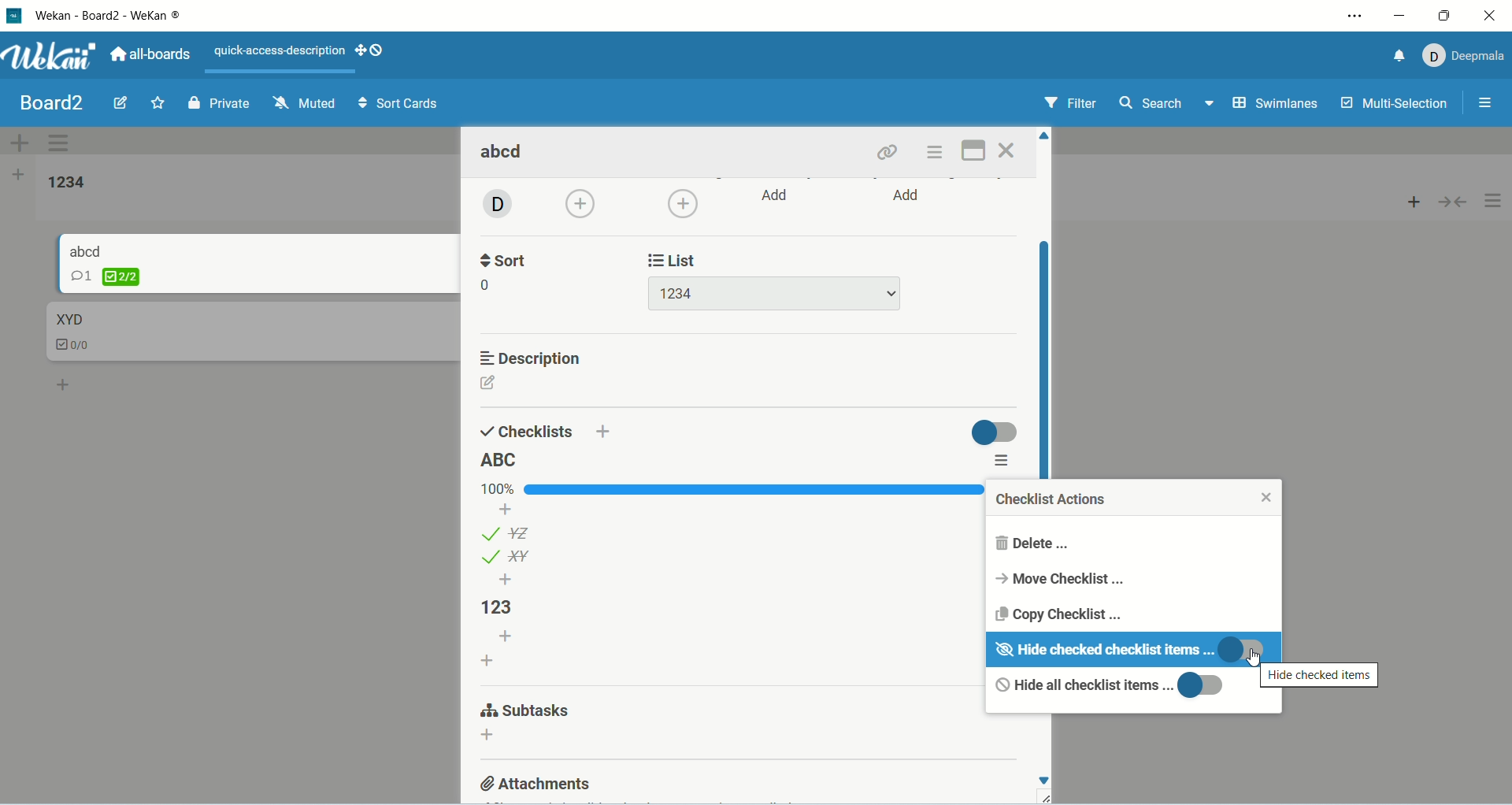  What do you see at coordinates (1028, 540) in the screenshot?
I see `delete` at bounding box center [1028, 540].